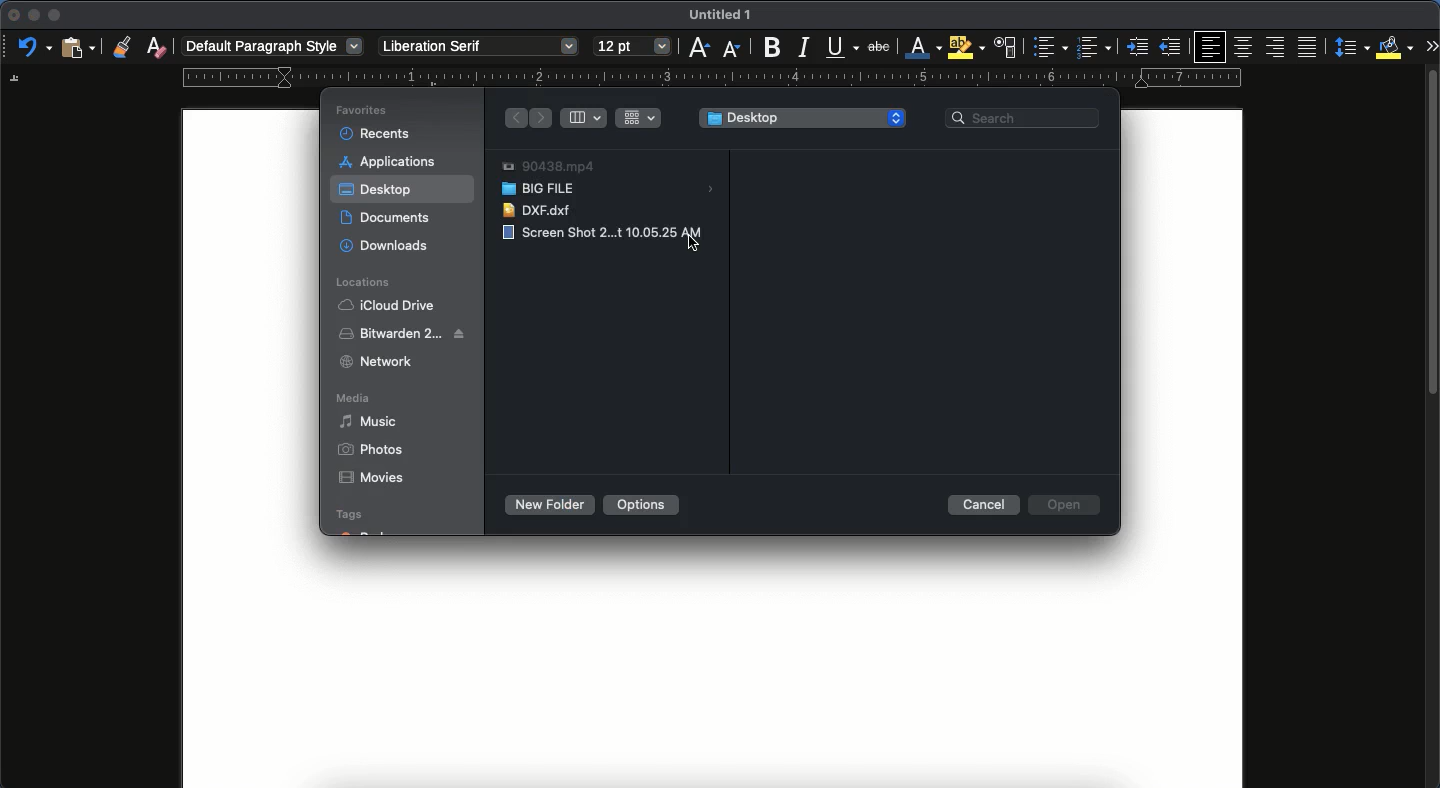 This screenshot has width=1440, height=788. What do you see at coordinates (692, 240) in the screenshot?
I see `cursor` at bounding box center [692, 240].